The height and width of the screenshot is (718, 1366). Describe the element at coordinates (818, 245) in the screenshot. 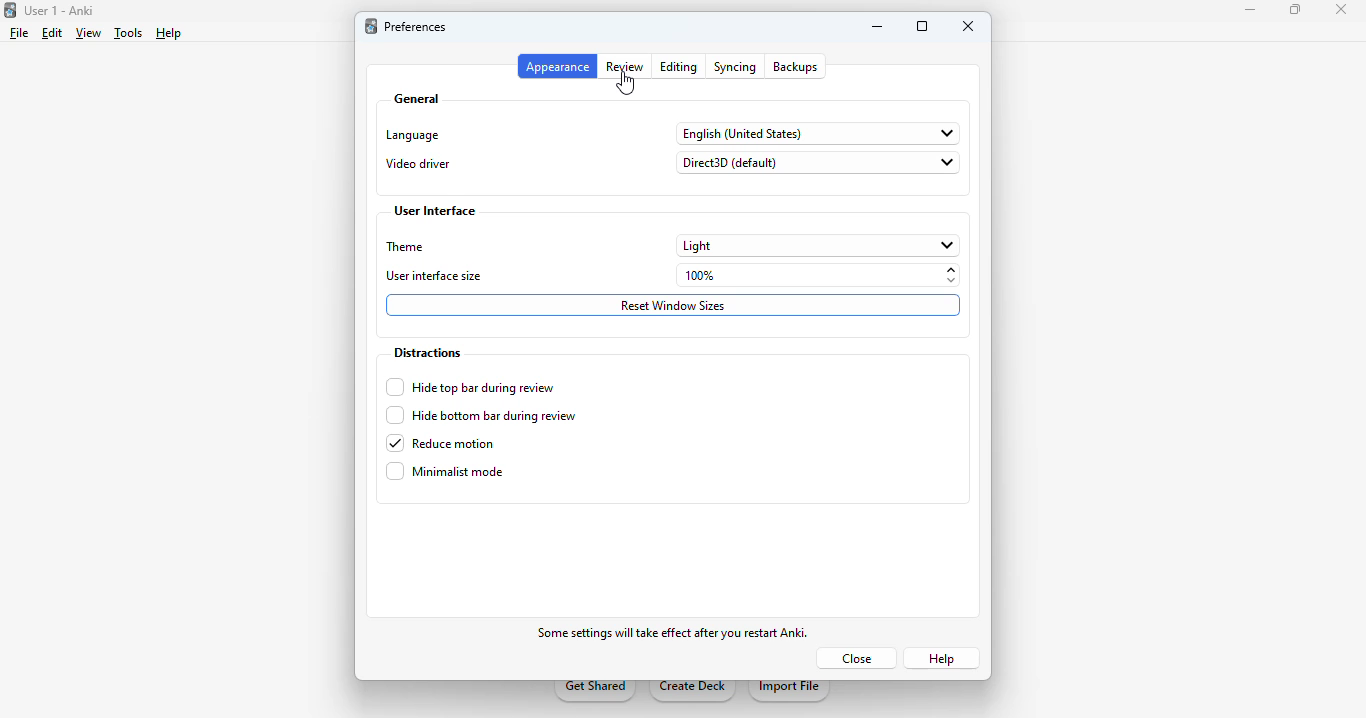

I see `light` at that location.